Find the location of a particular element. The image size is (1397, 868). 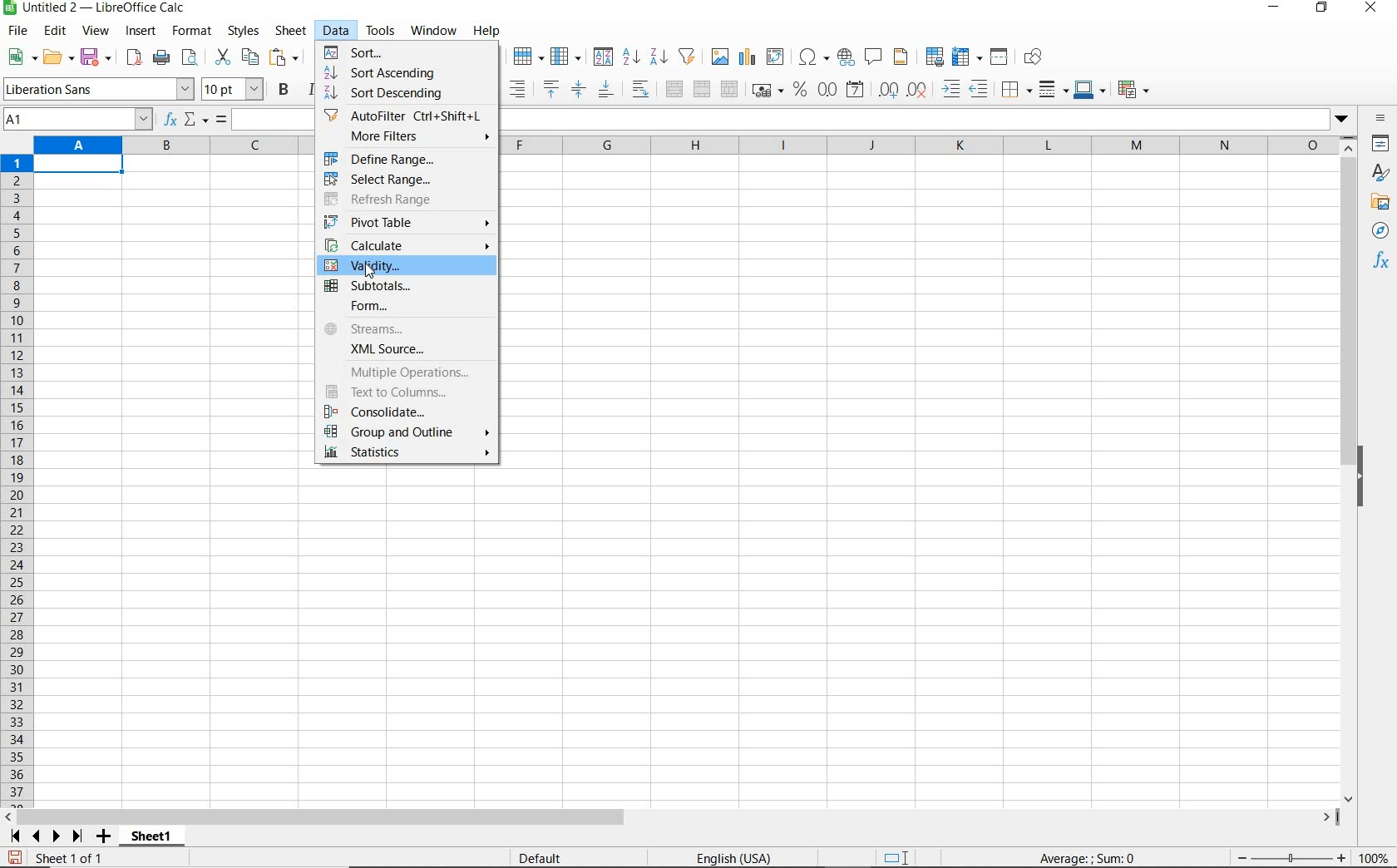

select range is located at coordinates (403, 181).